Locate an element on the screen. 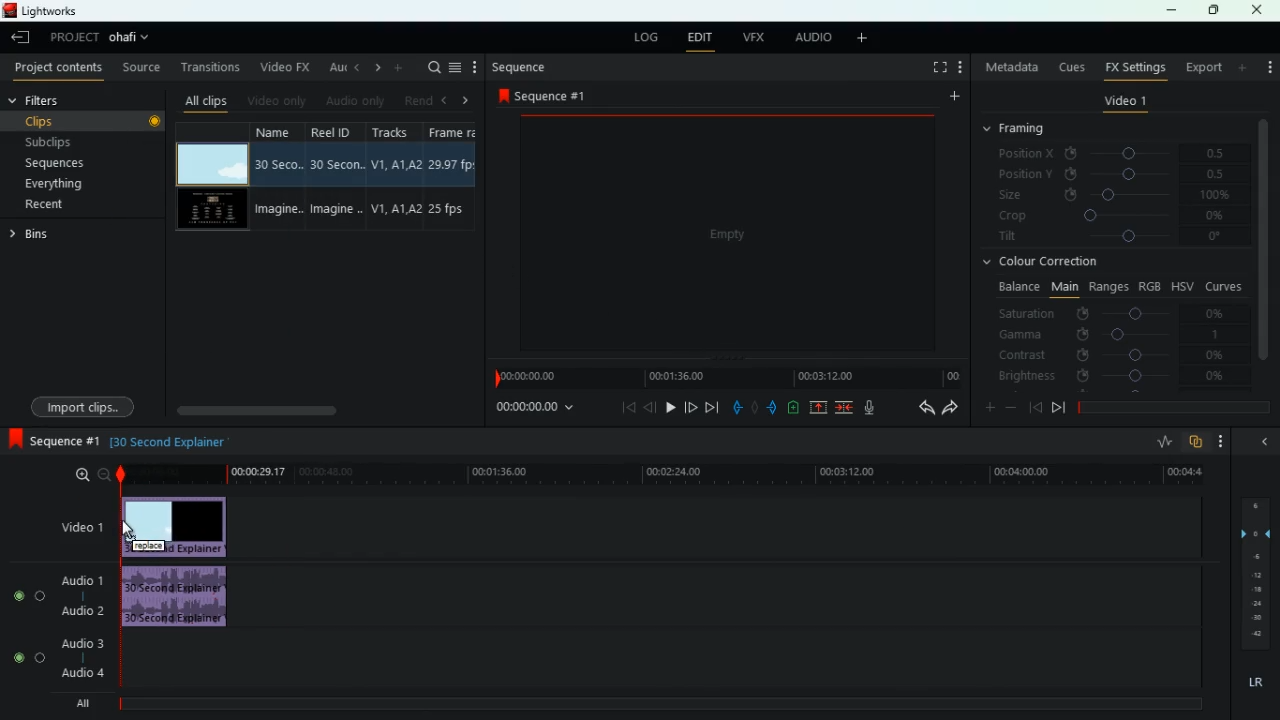  crop is located at coordinates (1114, 217).